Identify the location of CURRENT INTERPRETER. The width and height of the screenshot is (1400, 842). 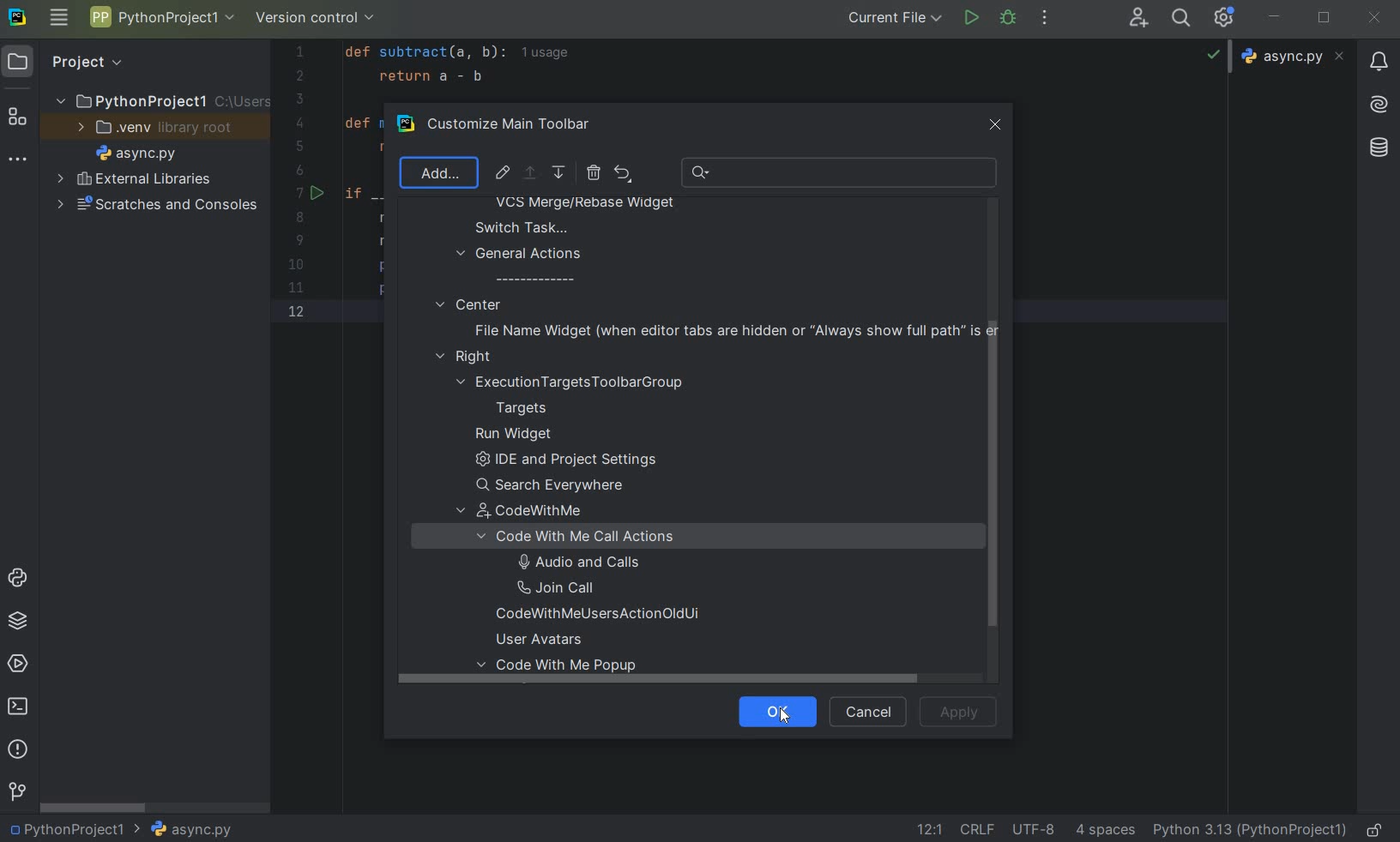
(1249, 829).